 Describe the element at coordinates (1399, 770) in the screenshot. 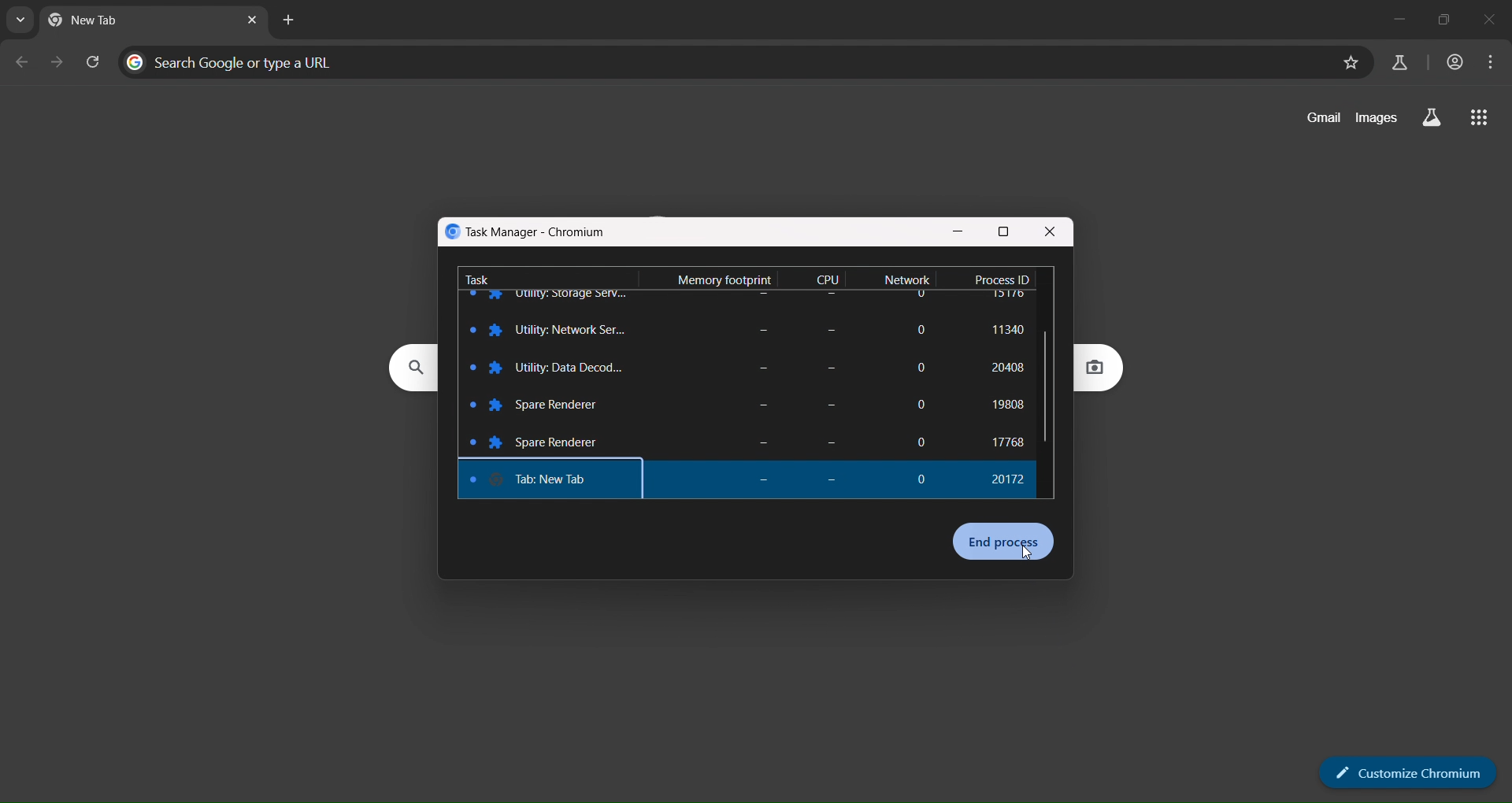

I see `customize chrome` at that location.